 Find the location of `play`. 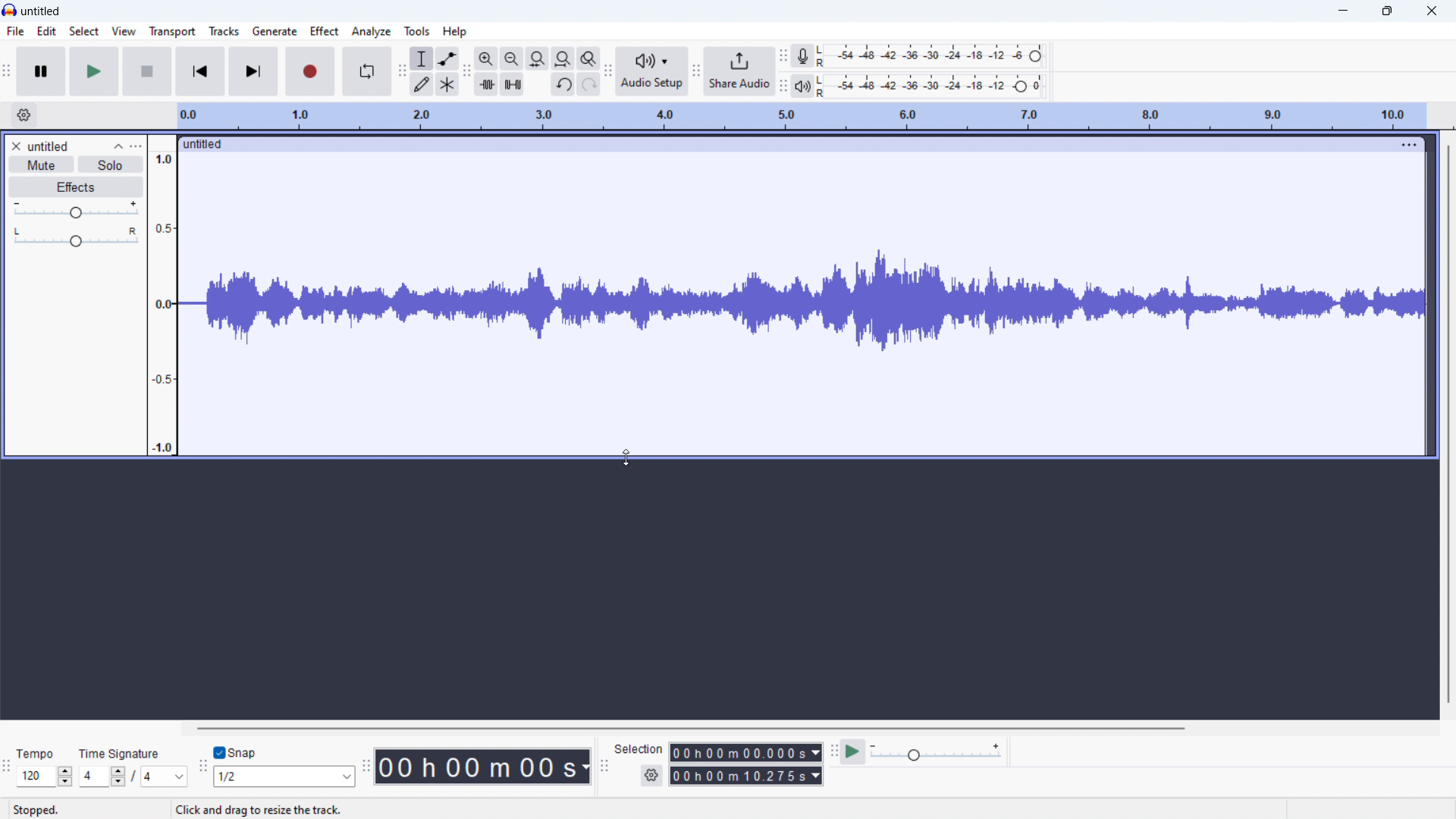

play is located at coordinates (94, 71).